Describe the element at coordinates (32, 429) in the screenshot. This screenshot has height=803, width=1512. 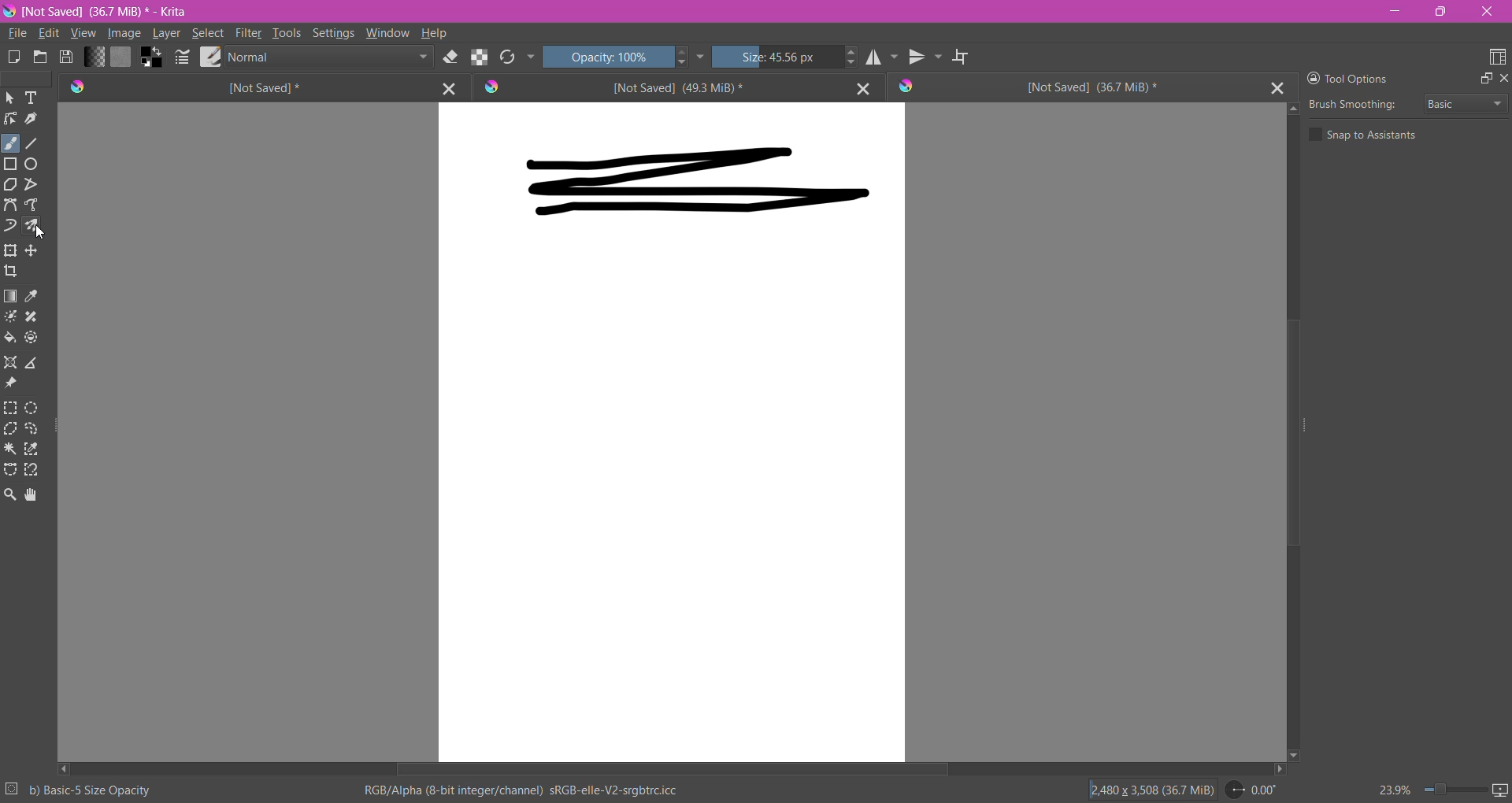
I see `Freehand Selection Tool` at that location.